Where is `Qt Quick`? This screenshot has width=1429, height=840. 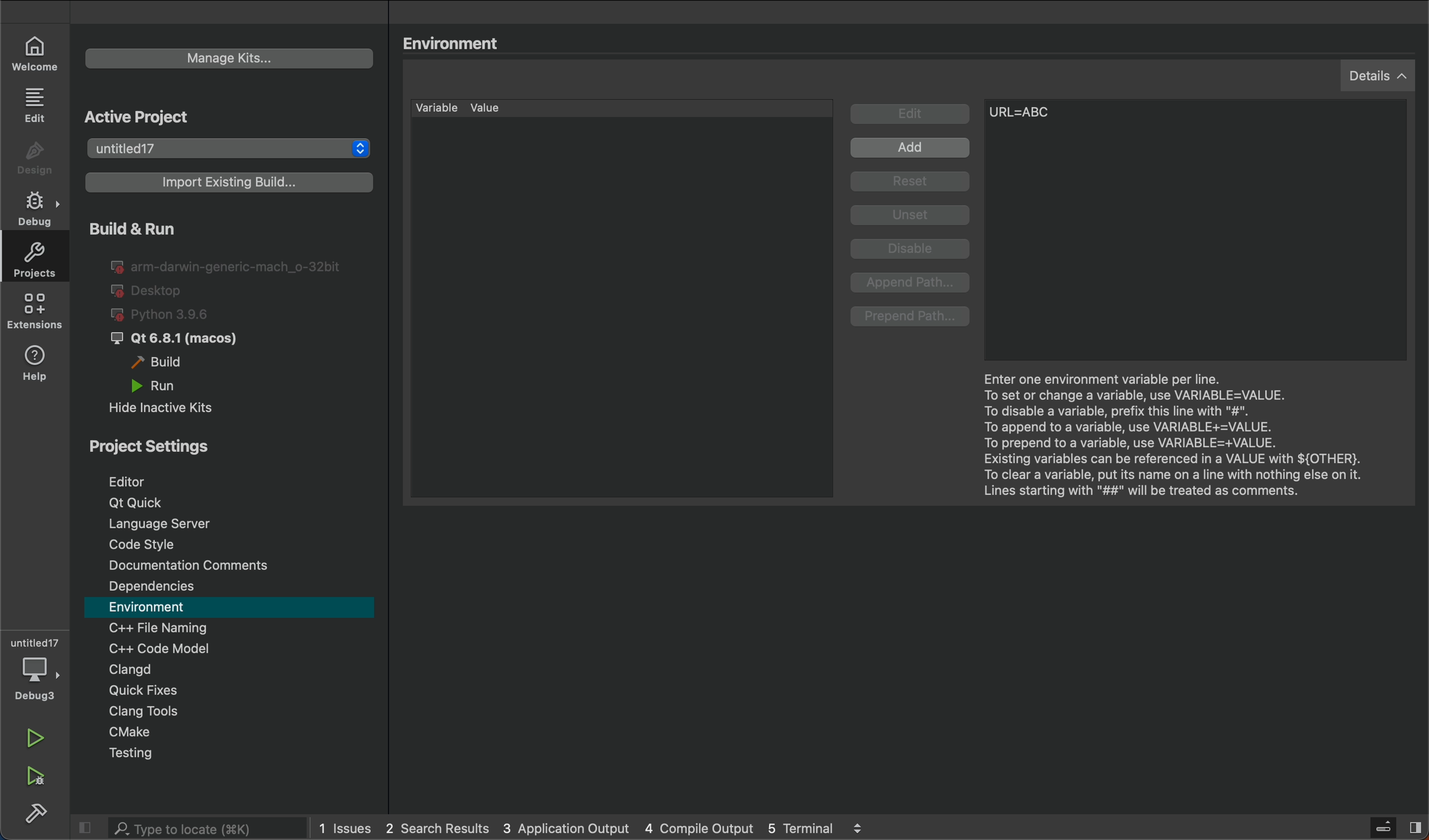
Qt Quick is located at coordinates (238, 503).